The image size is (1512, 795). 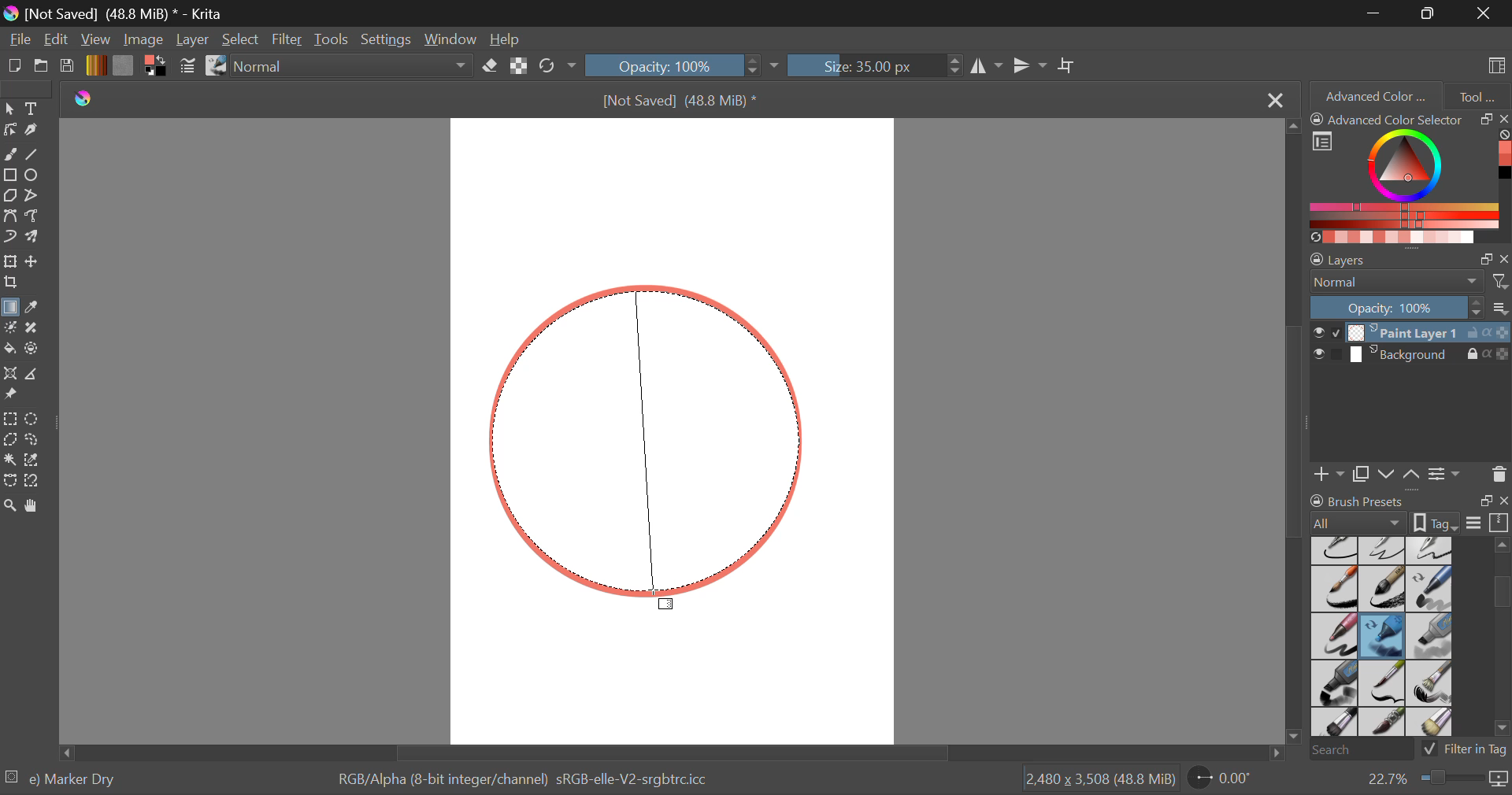 What do you see at coordinates (242, 41) in the screenshot?
I see `Select` at bounding box center [242, 41].